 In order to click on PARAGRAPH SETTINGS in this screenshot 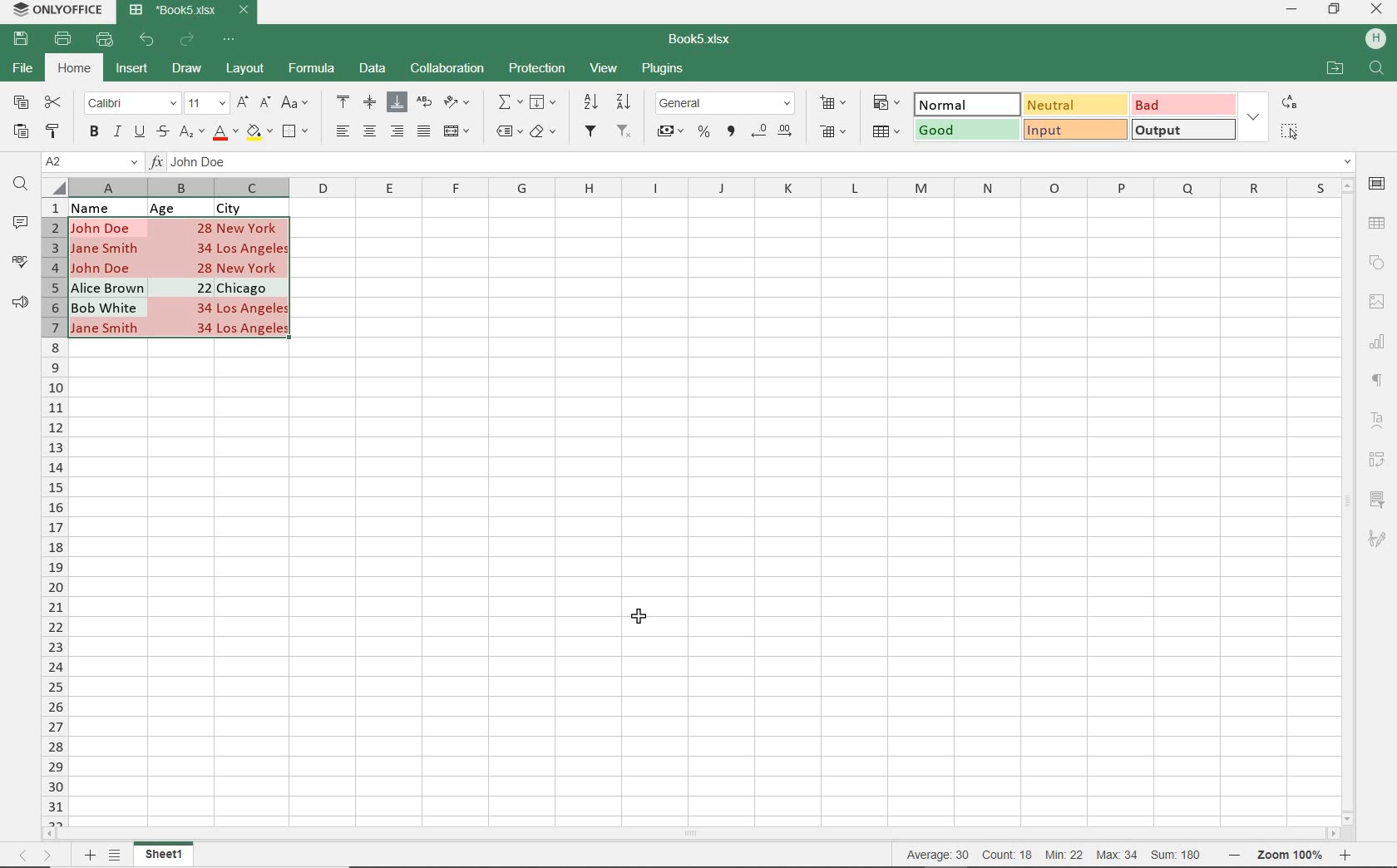, I will do `click(1378, 381)`.